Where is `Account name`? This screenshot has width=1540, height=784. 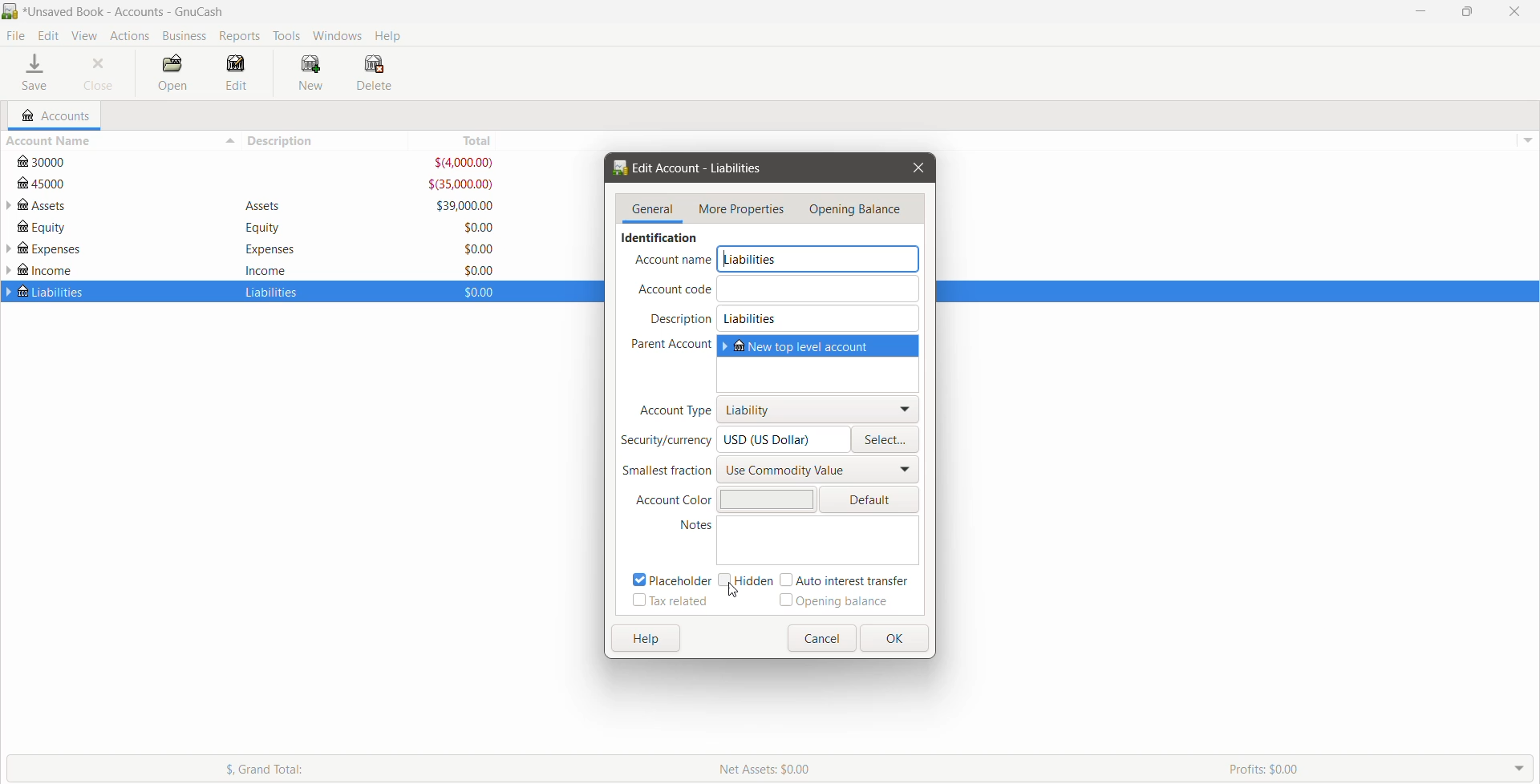 Account name is located at coordinates (821, 259).